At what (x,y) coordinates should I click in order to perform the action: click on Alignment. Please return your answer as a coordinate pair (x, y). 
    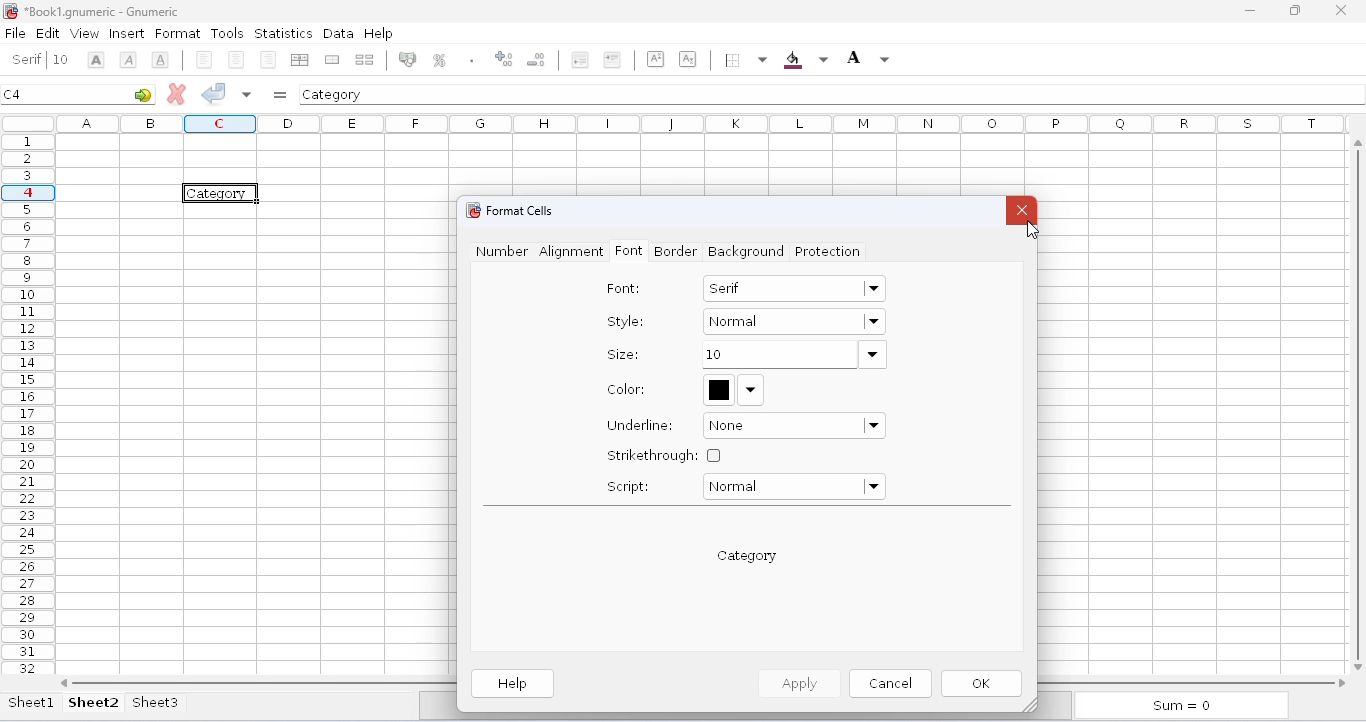
    Looking at the image, I should click on (572, 253).